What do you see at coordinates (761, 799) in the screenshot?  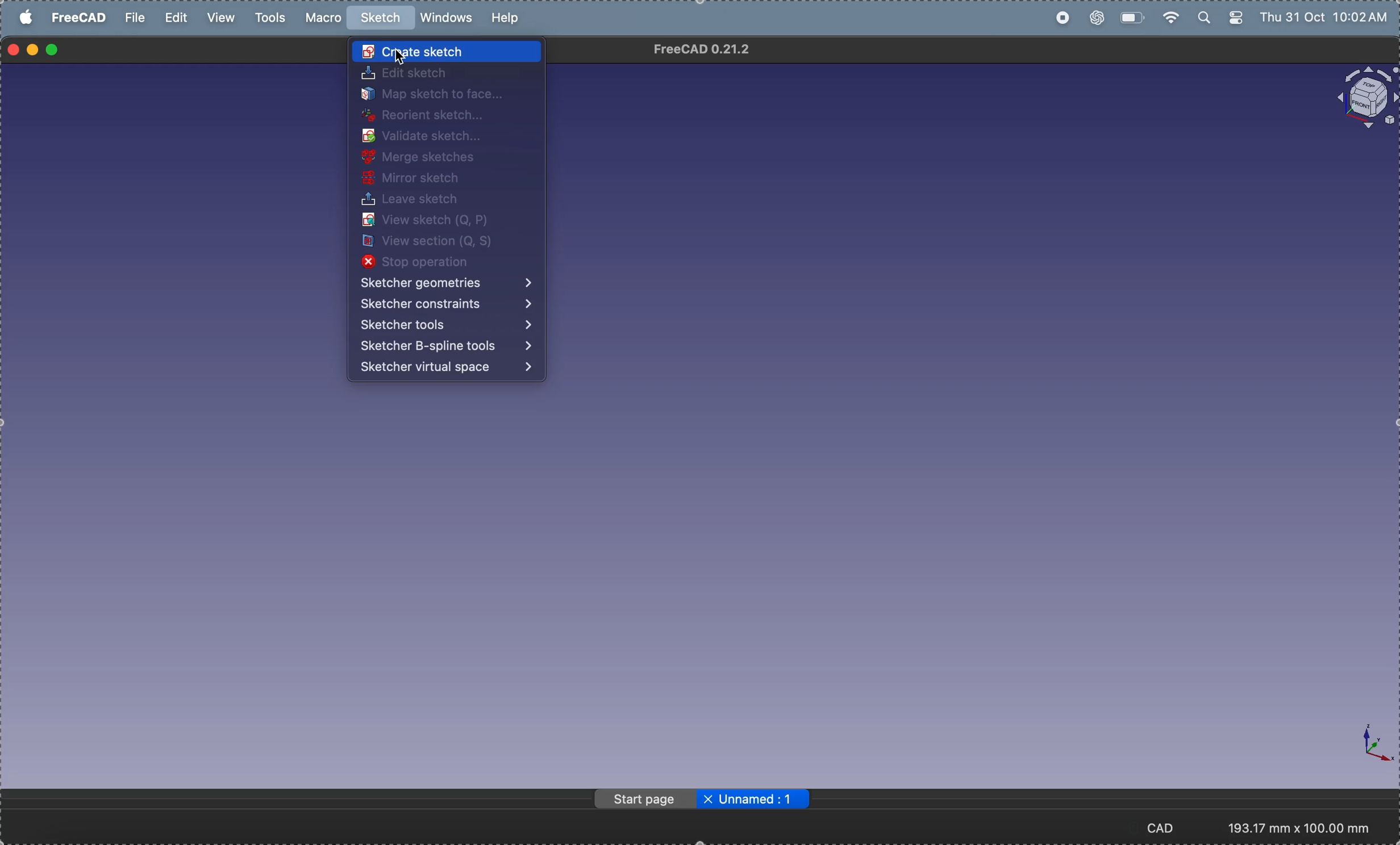 I see `Unnamed: 1` at bounding box center [761, 799].